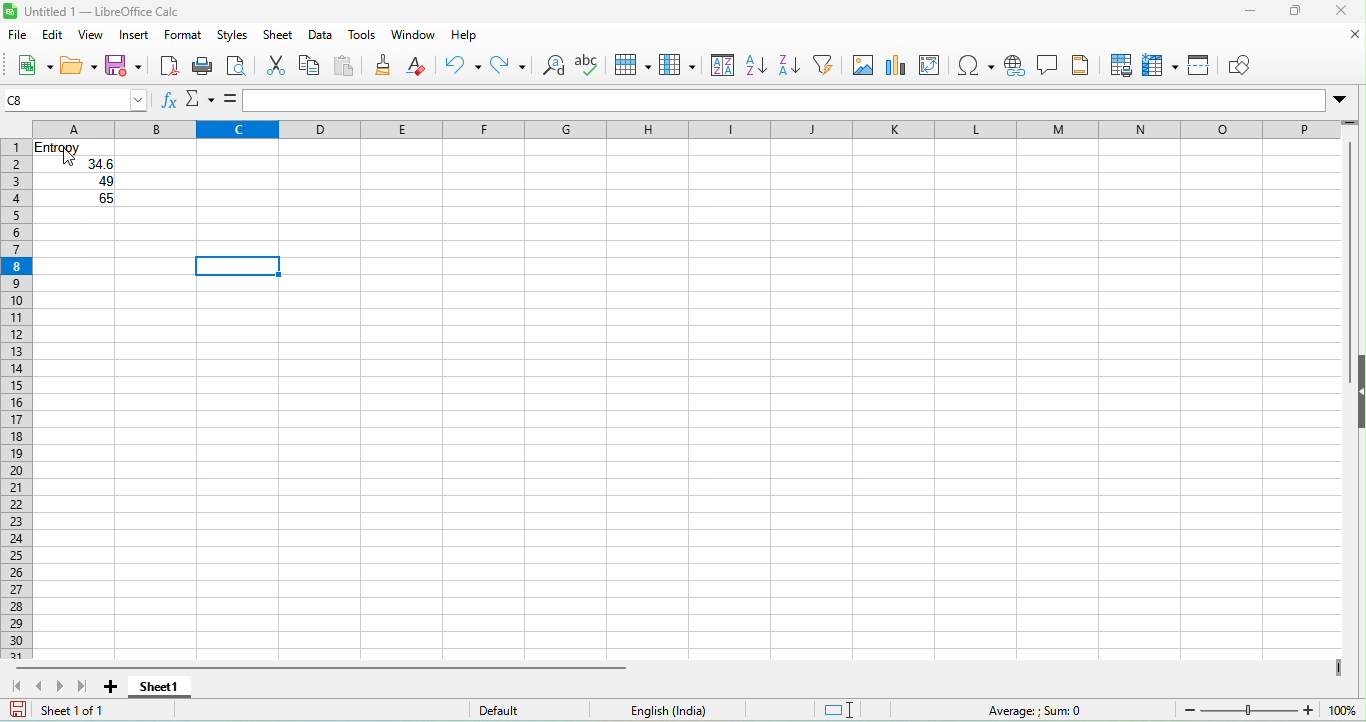 The width and height of the screenshot is (1366, 722). What do you see at coordinates (1299, 13) in the screenshot?
I see `maximize` at bounding box center [1299, 13].